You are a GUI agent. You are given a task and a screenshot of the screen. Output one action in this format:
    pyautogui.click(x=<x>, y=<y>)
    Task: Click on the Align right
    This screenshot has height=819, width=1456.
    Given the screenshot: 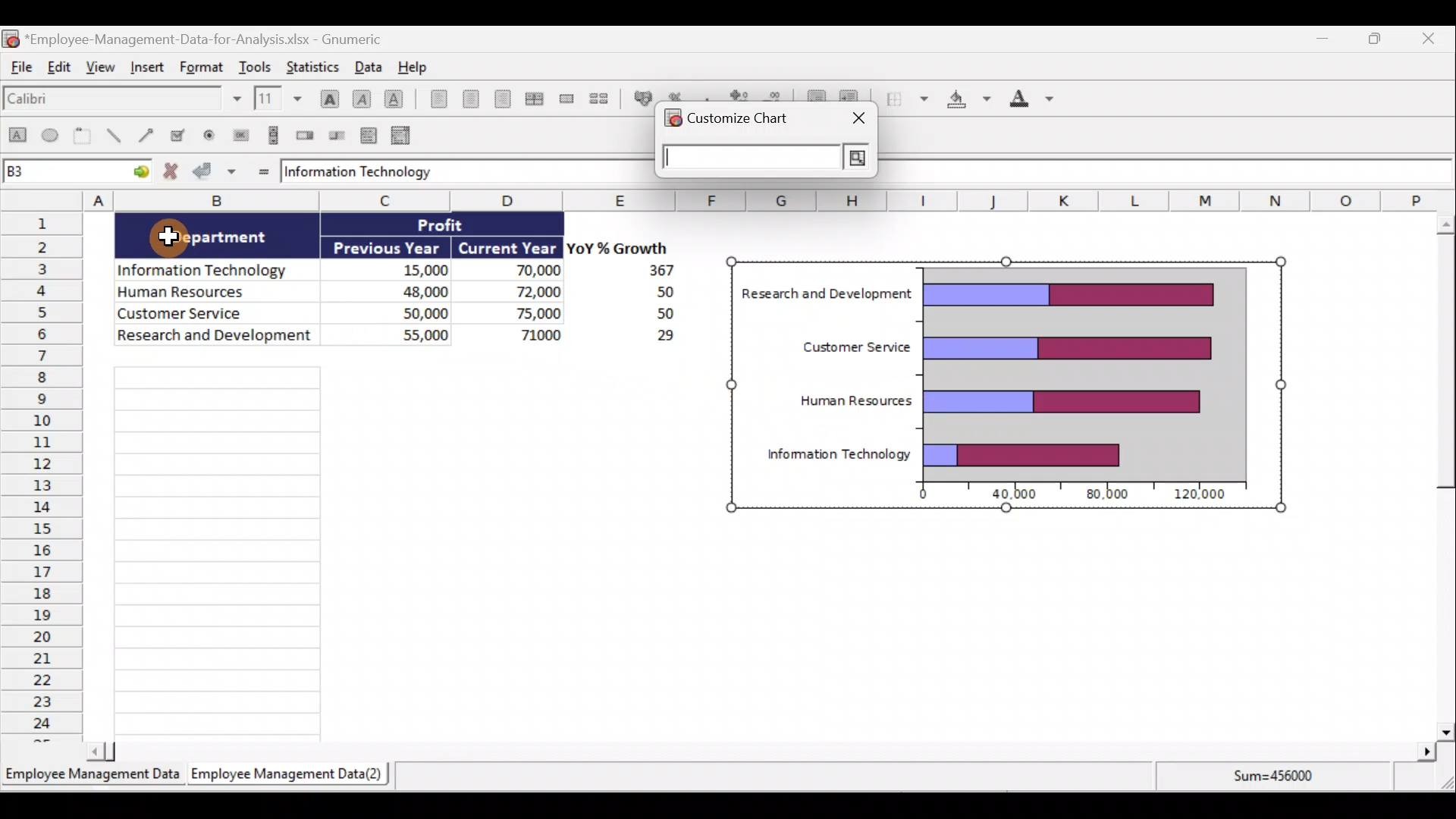 What is the action you would take?
    pyautogui.click(x=505, y=102)
    